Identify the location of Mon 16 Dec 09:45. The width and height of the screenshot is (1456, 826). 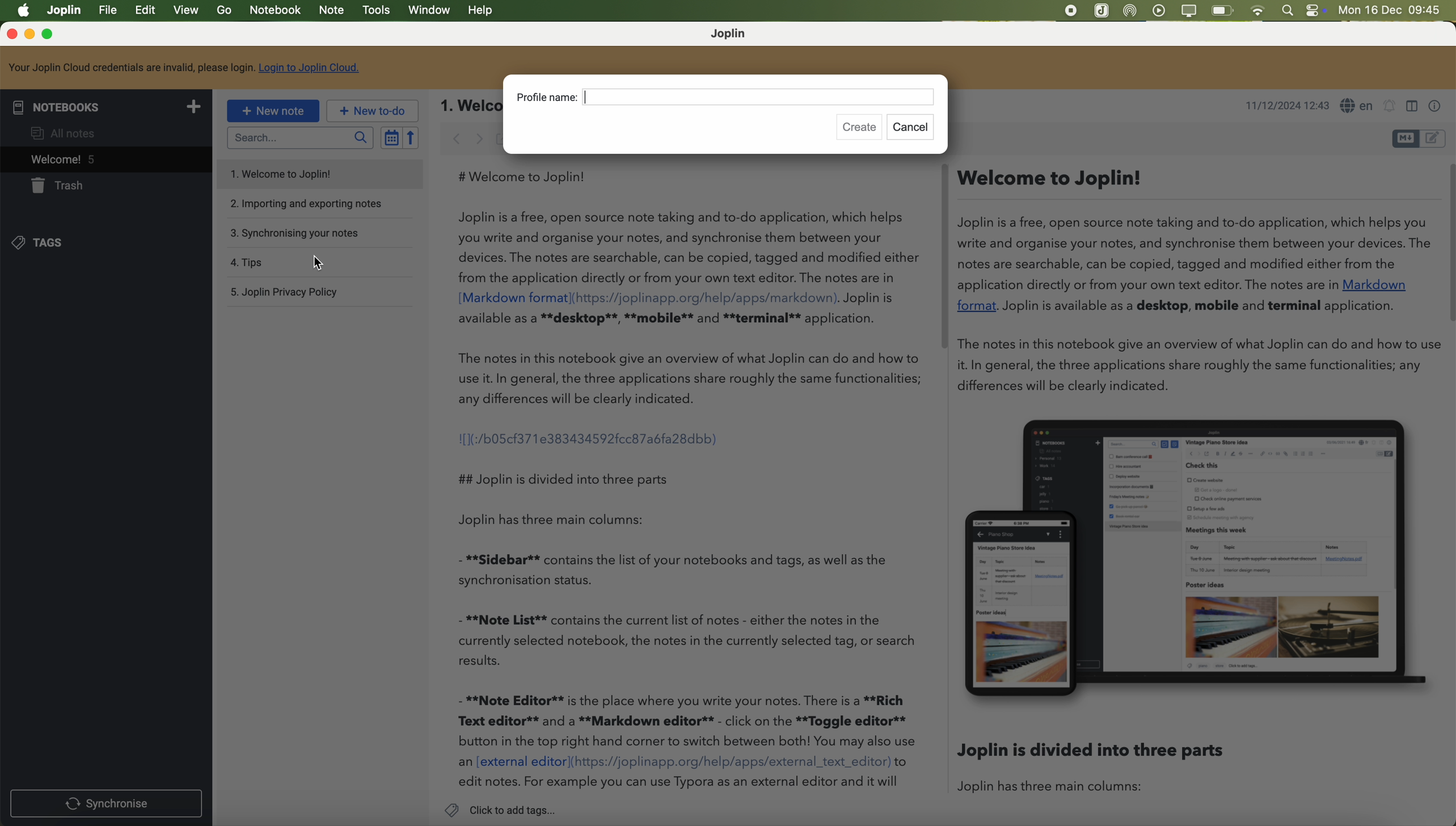
(1391, 11).